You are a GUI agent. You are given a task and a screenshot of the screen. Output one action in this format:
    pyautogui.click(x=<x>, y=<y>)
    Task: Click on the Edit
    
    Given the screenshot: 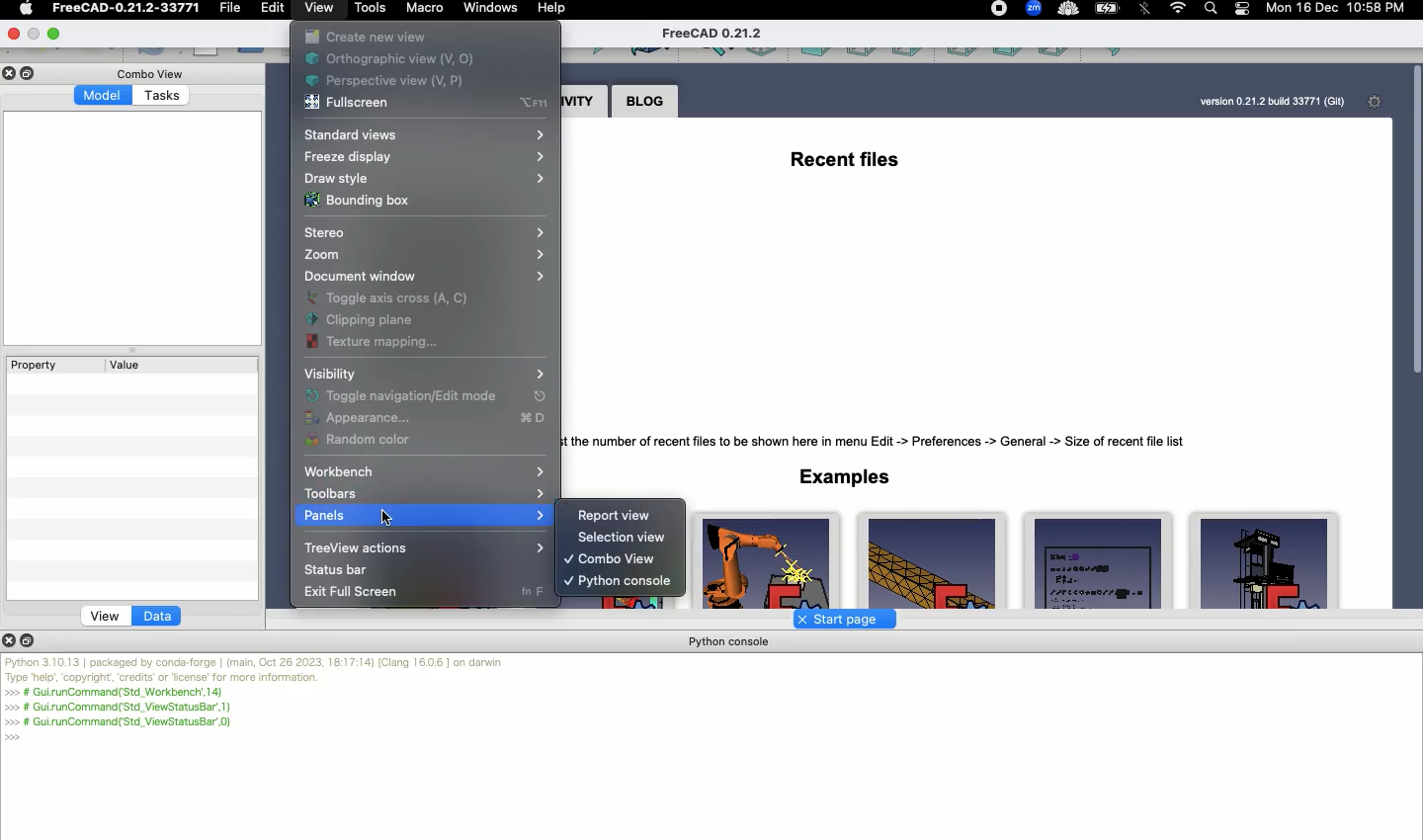 What is the action you would take?
    pyautogui.click(x=275, y=10)
    